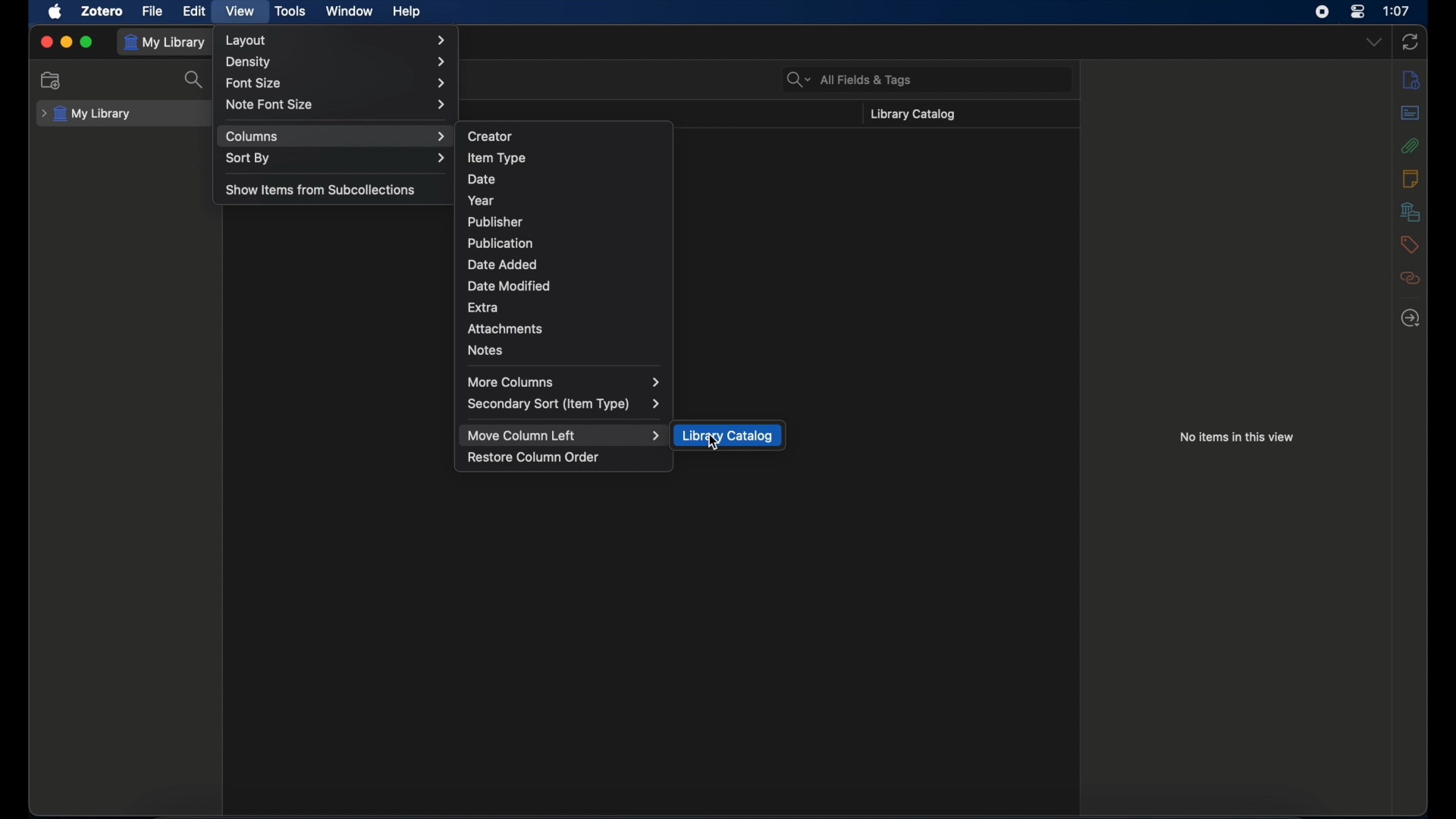 The width and height of the screenshot is (1456, 819). What do you see at coordinates (46, 42) in the screenshot?
I see `close` at bounding box center [46, 42].